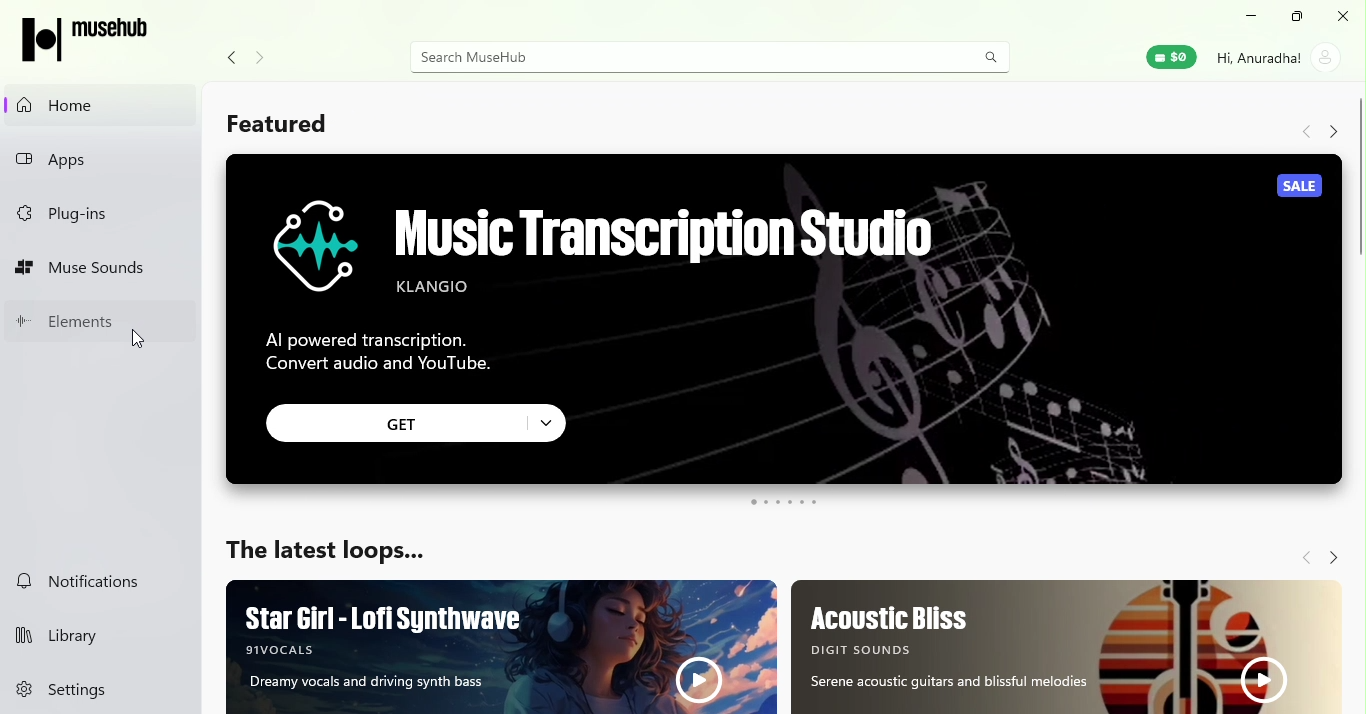 The image size is (1366, 714). Describe the element at coordinates (1342, 17) in the screenshot. I see `Close tab` at that location.